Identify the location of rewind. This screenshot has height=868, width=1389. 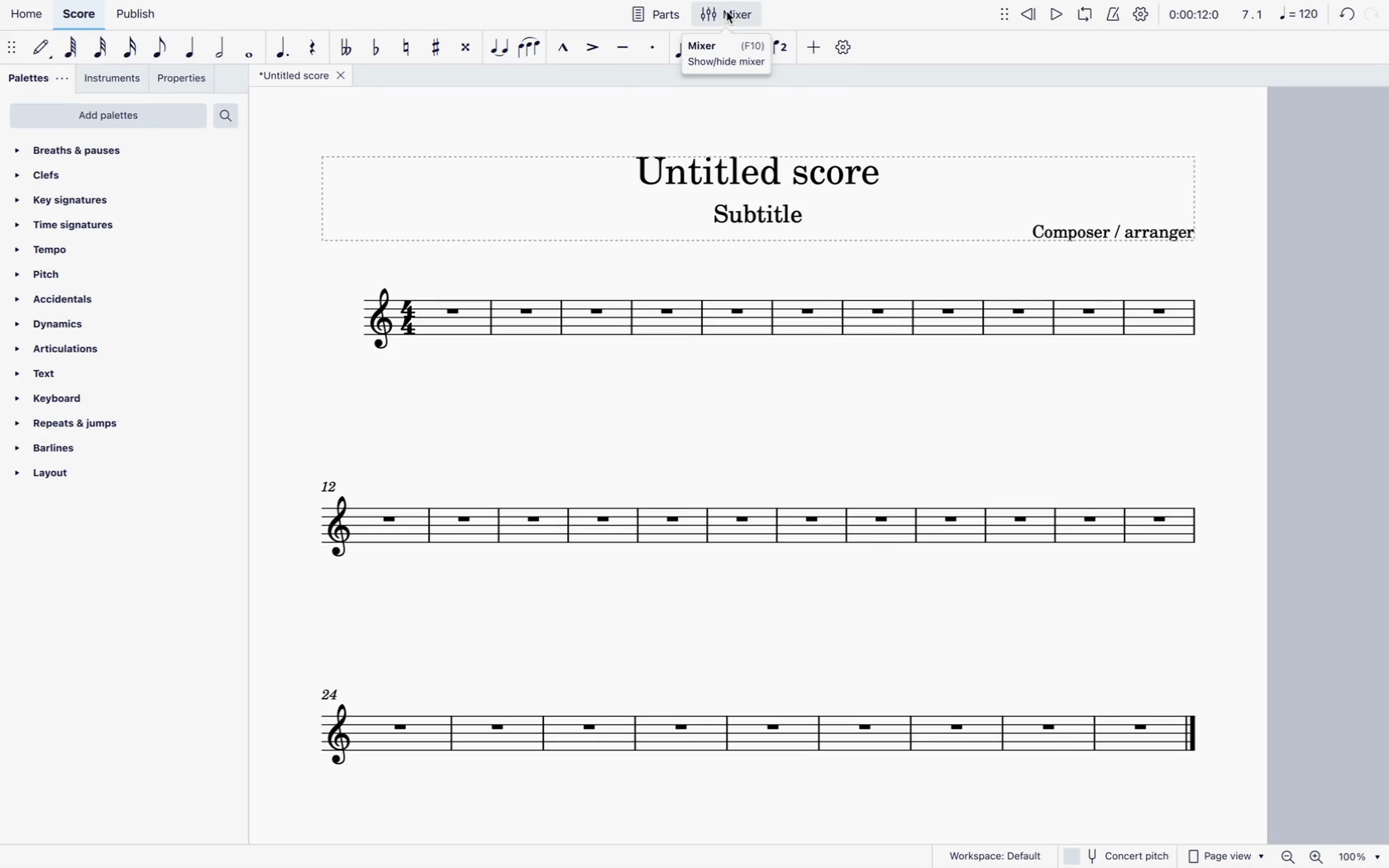
(1029, 17).